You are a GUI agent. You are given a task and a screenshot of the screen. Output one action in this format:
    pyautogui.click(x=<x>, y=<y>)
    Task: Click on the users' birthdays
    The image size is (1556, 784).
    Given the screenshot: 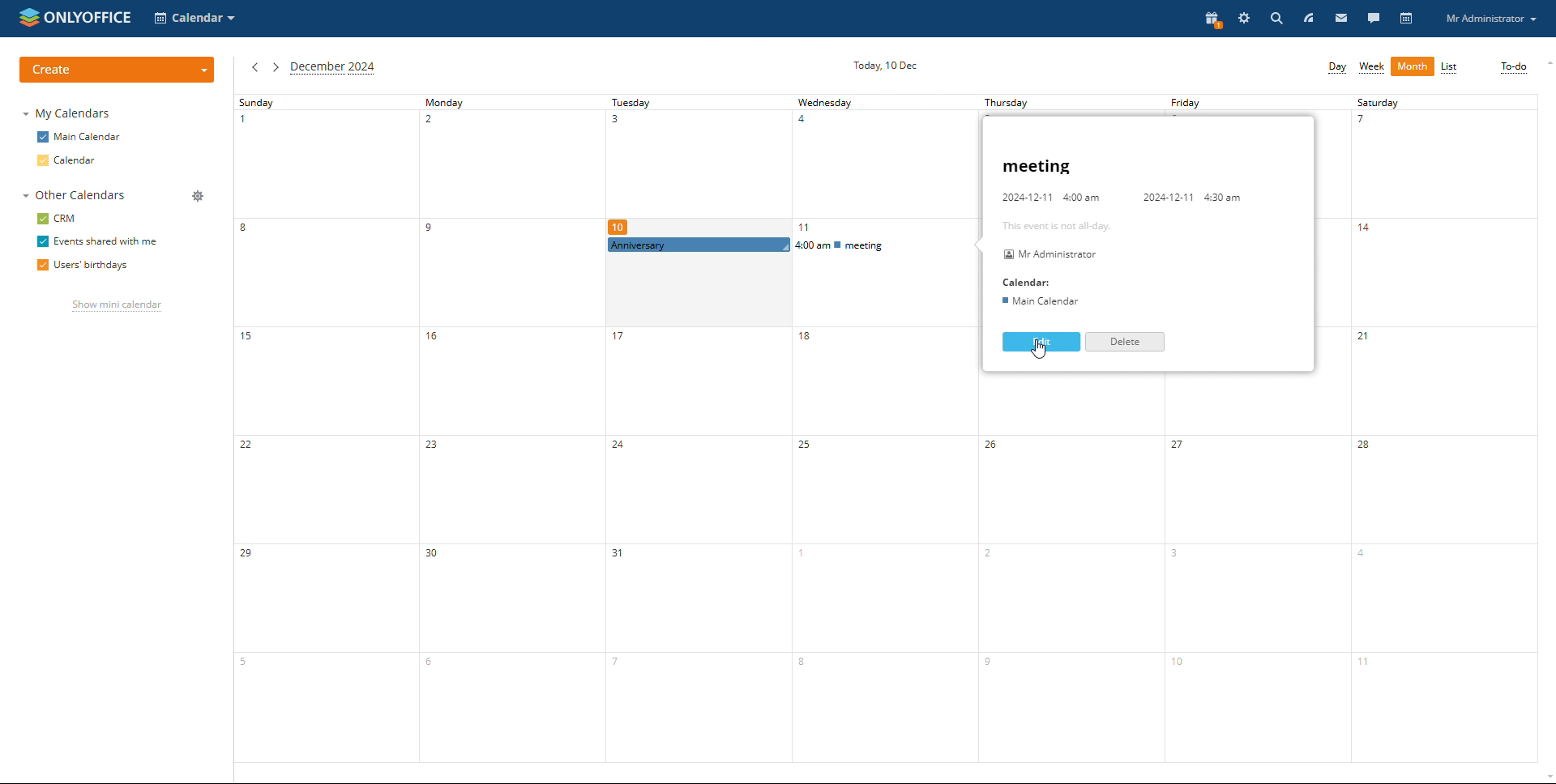 What is the action you would take?
    pyautogui.click(x=79, y=266)
    